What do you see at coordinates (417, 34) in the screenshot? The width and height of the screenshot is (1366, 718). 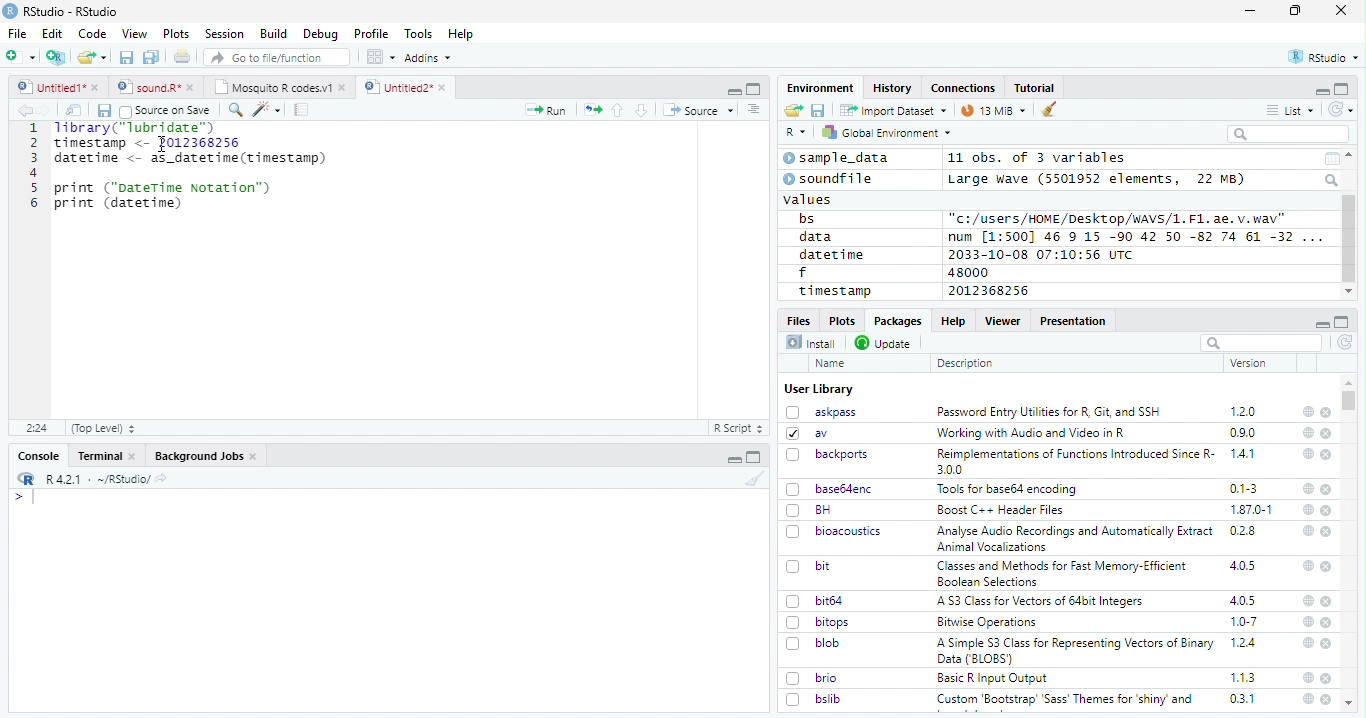 I see `Tools` at bounding box center [417, 34].